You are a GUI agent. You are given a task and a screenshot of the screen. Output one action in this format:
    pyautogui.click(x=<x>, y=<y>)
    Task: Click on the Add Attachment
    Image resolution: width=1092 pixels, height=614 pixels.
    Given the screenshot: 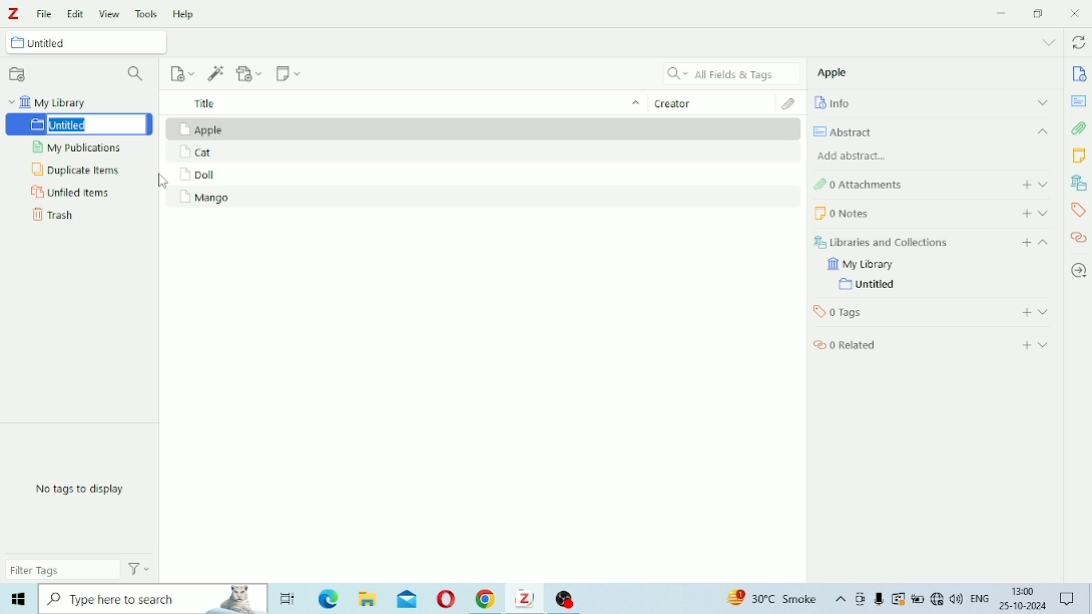 What is the action you would take?
    pyautogui.click(x=249, y=73)
    